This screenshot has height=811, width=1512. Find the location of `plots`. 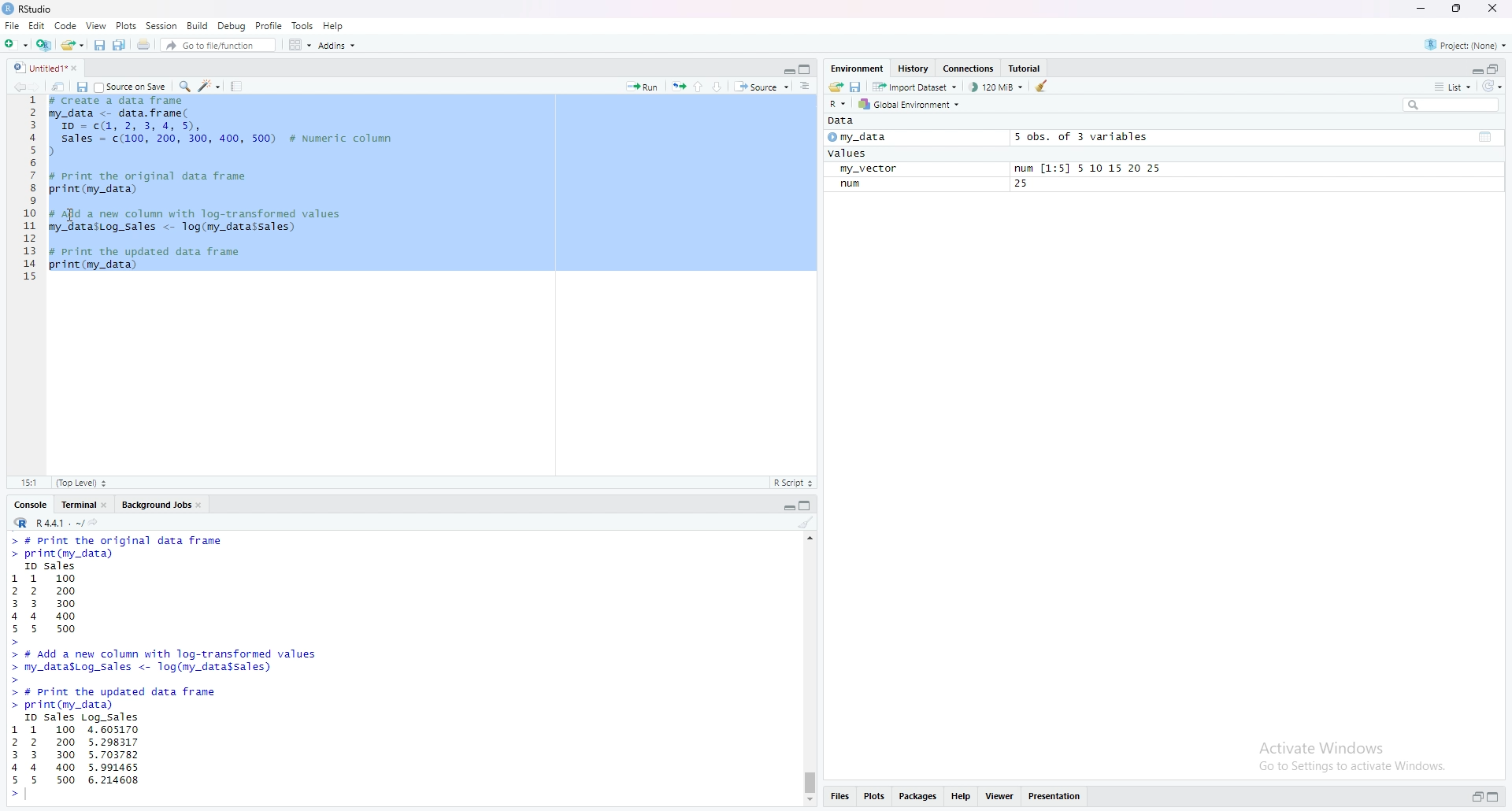

plots is located at coordinates (876, 799).